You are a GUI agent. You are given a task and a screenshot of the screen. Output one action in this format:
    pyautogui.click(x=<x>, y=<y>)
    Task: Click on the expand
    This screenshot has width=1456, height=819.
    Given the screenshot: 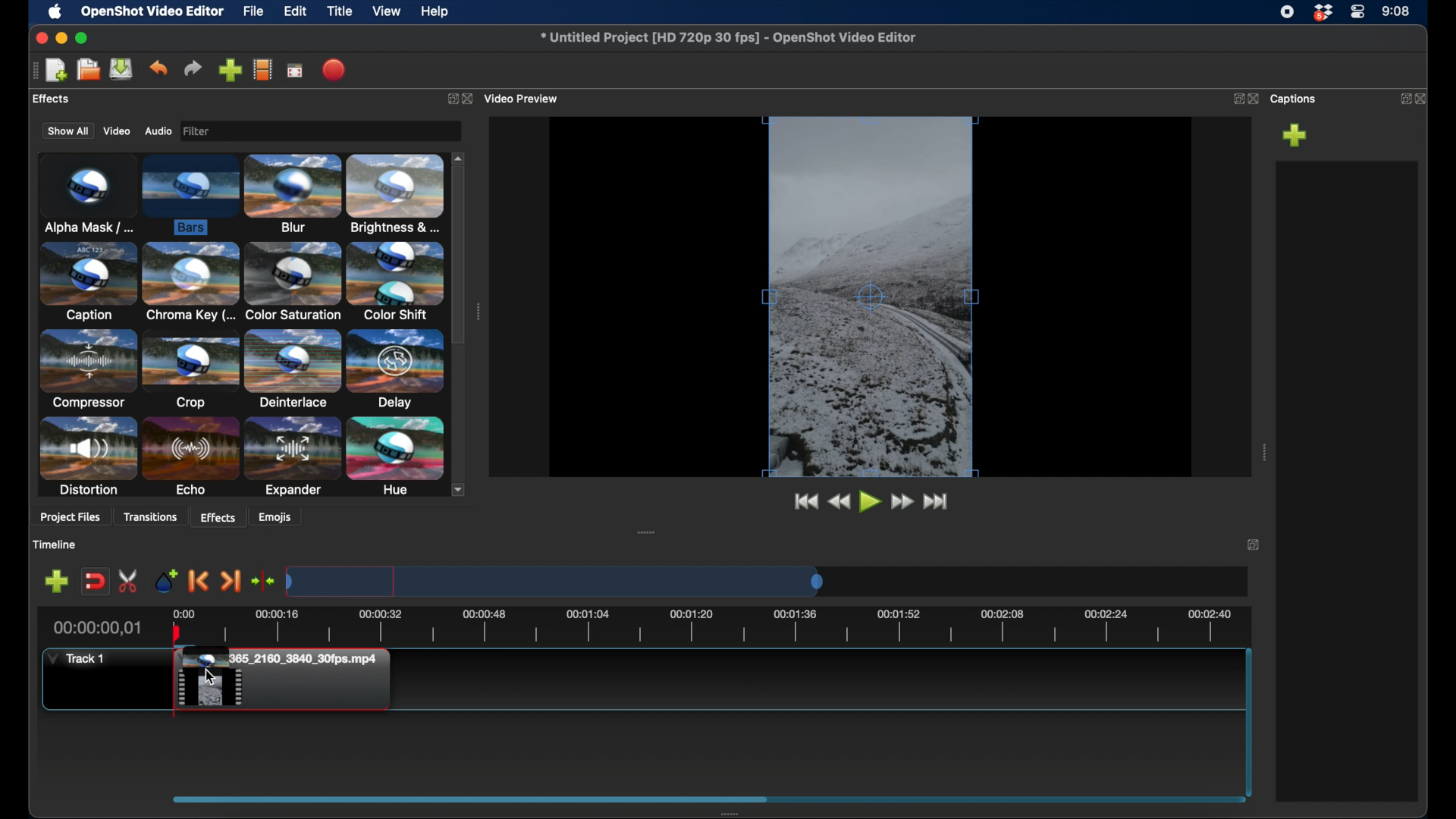 What is the action you would take?
    pyautogui.click(x=450, y=98)
    